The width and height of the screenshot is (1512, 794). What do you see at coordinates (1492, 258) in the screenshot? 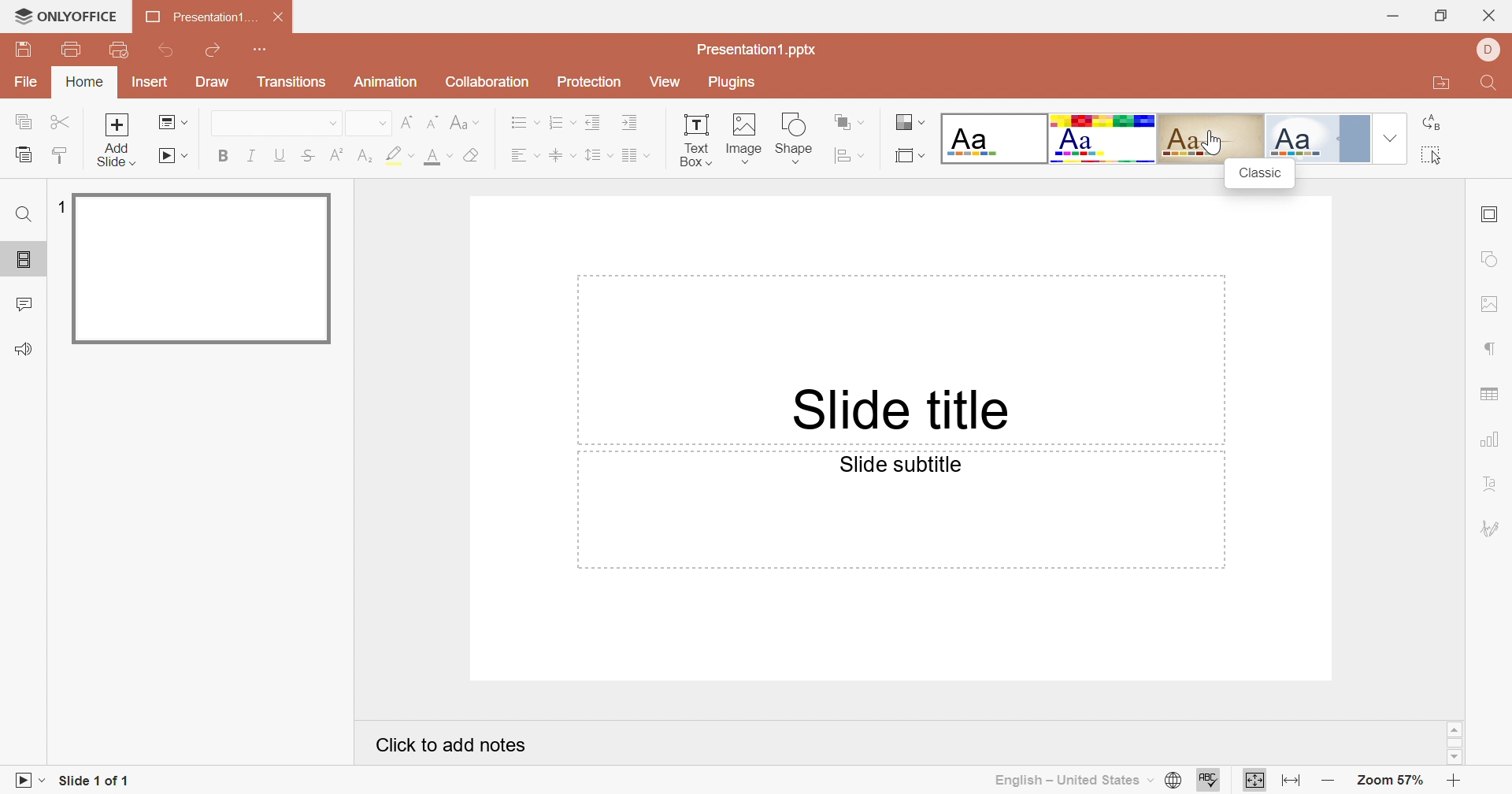
I see `Shape settings` at bounding box center [1492, 258].